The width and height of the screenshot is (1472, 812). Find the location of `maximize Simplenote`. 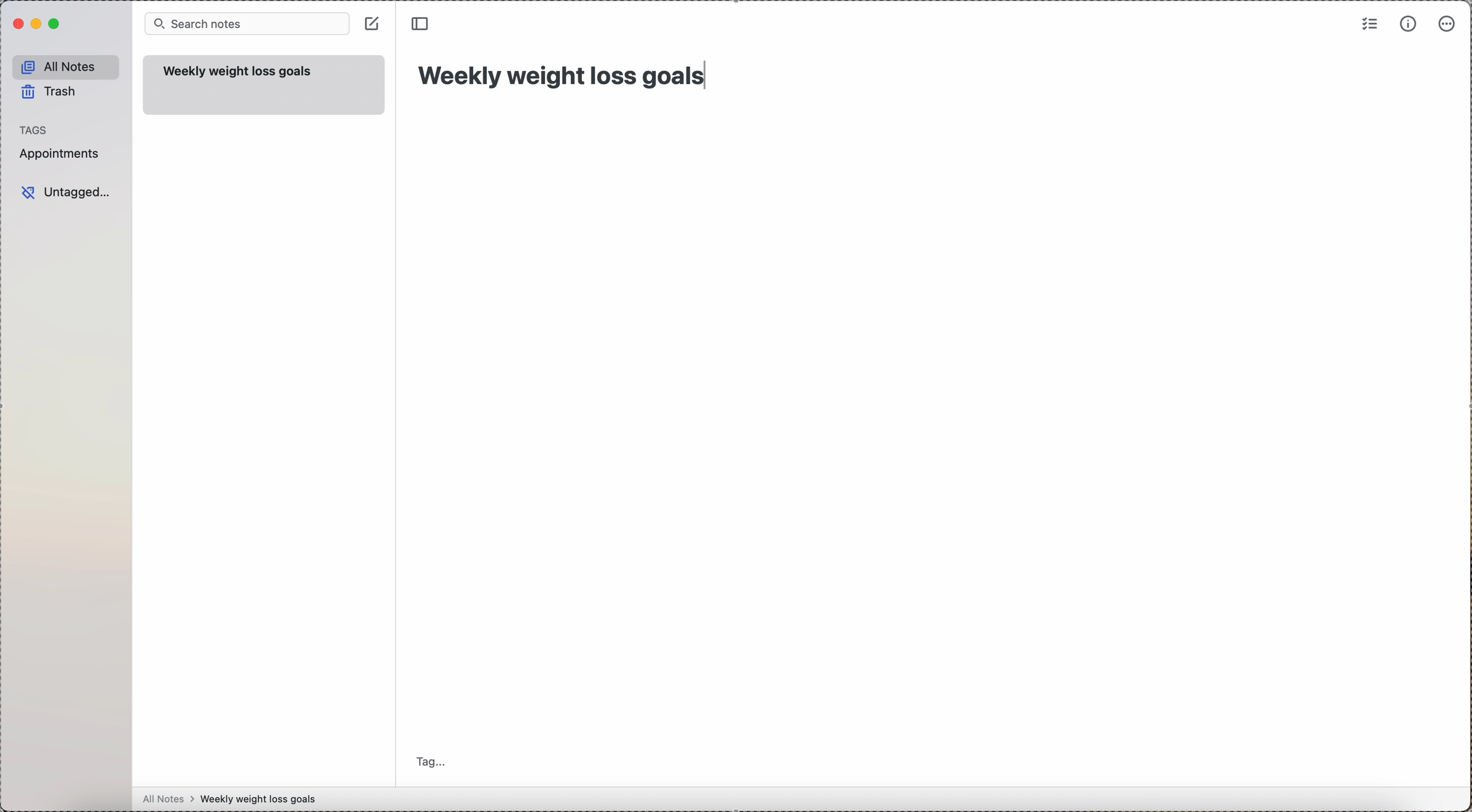

maximize Simplenote is located at coordinates (56, 24).